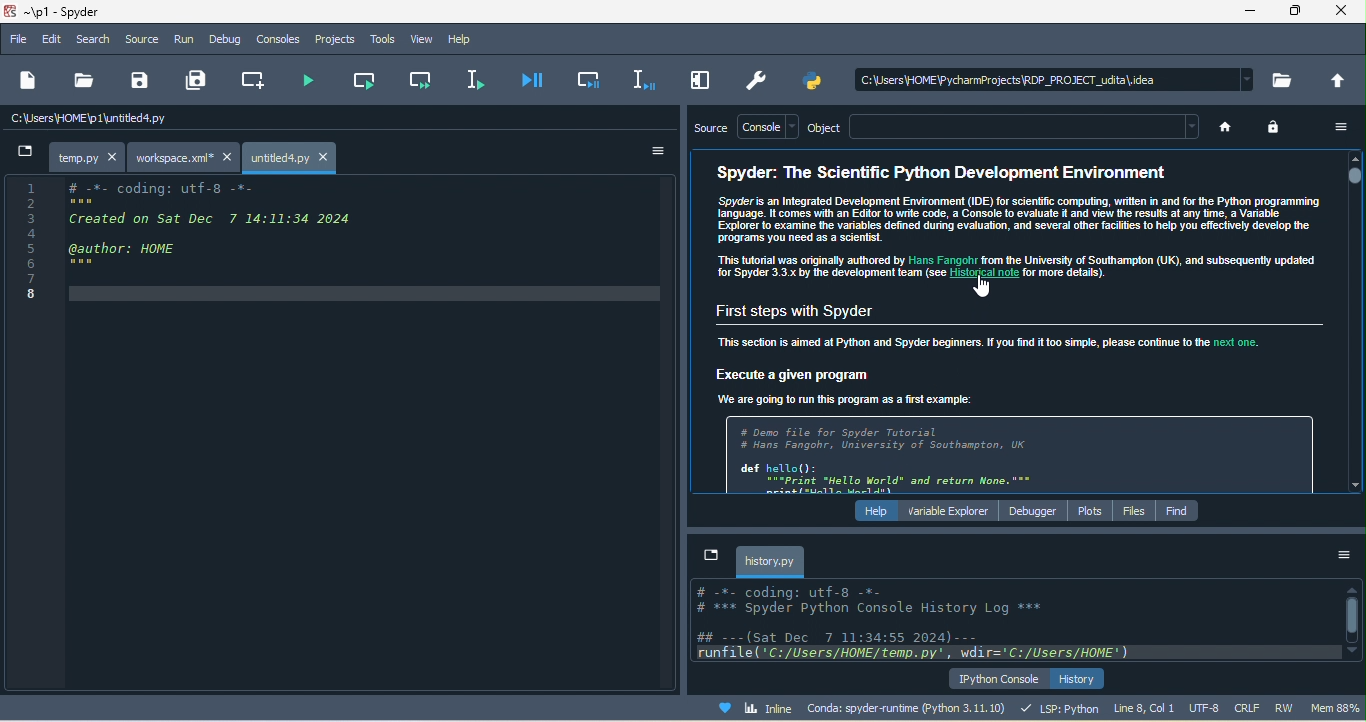 This screenshot has height=722, width=1366. I want to click on vertical scroll bar, so click(1351, 321).